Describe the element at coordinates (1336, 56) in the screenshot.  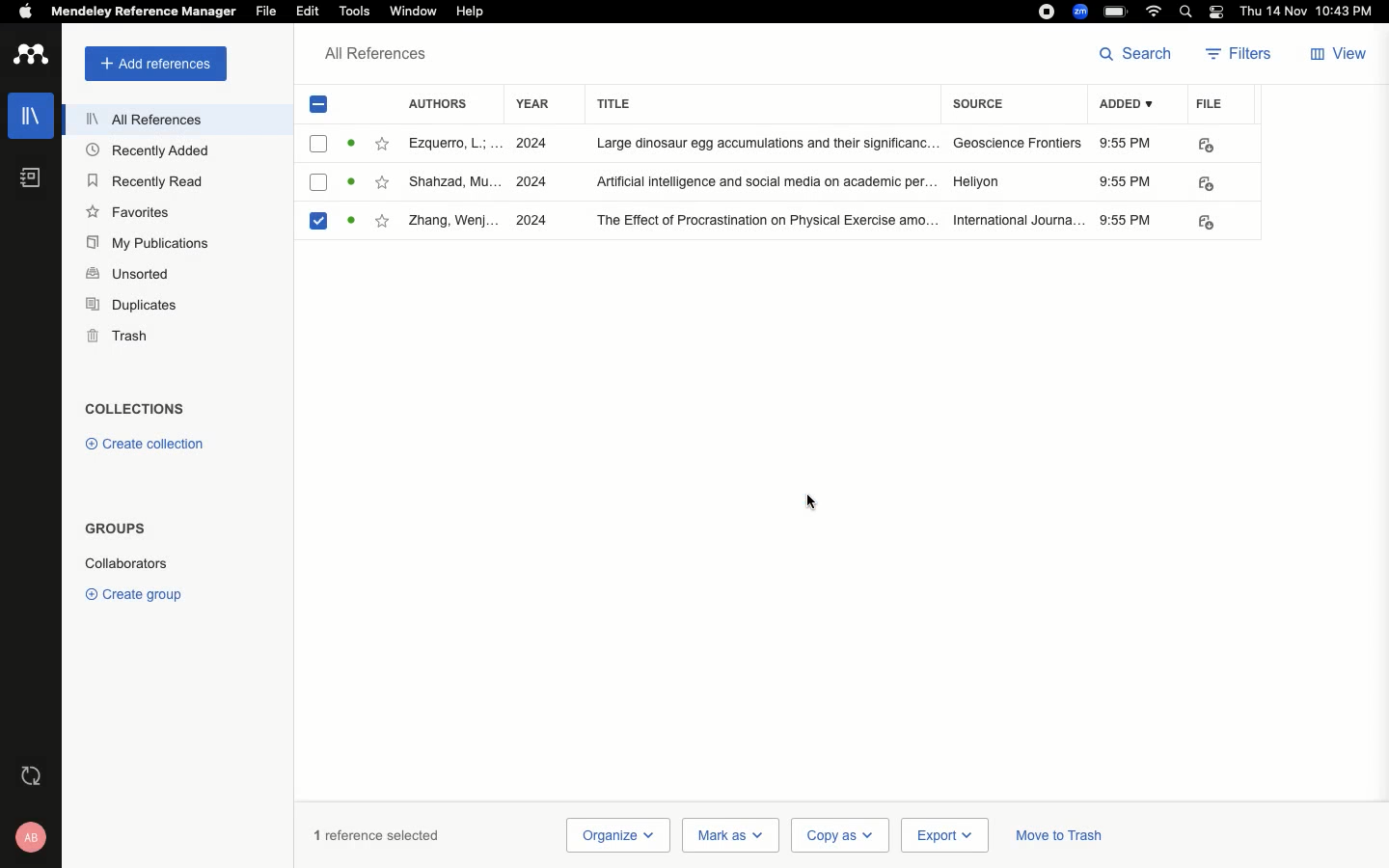
I see `View` at that location.